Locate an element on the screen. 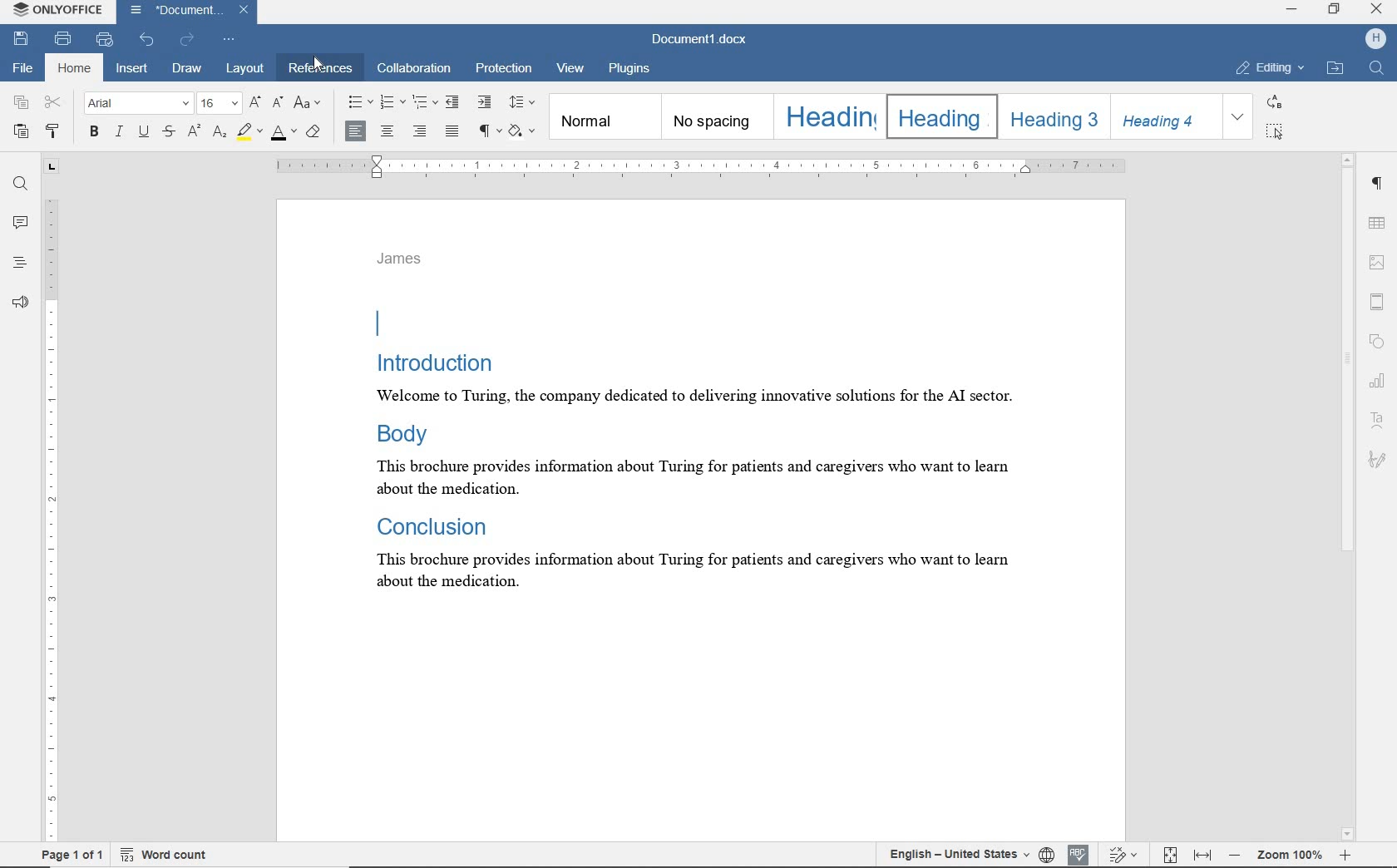  page 1 of 1 is located at coordinates (72, 856).